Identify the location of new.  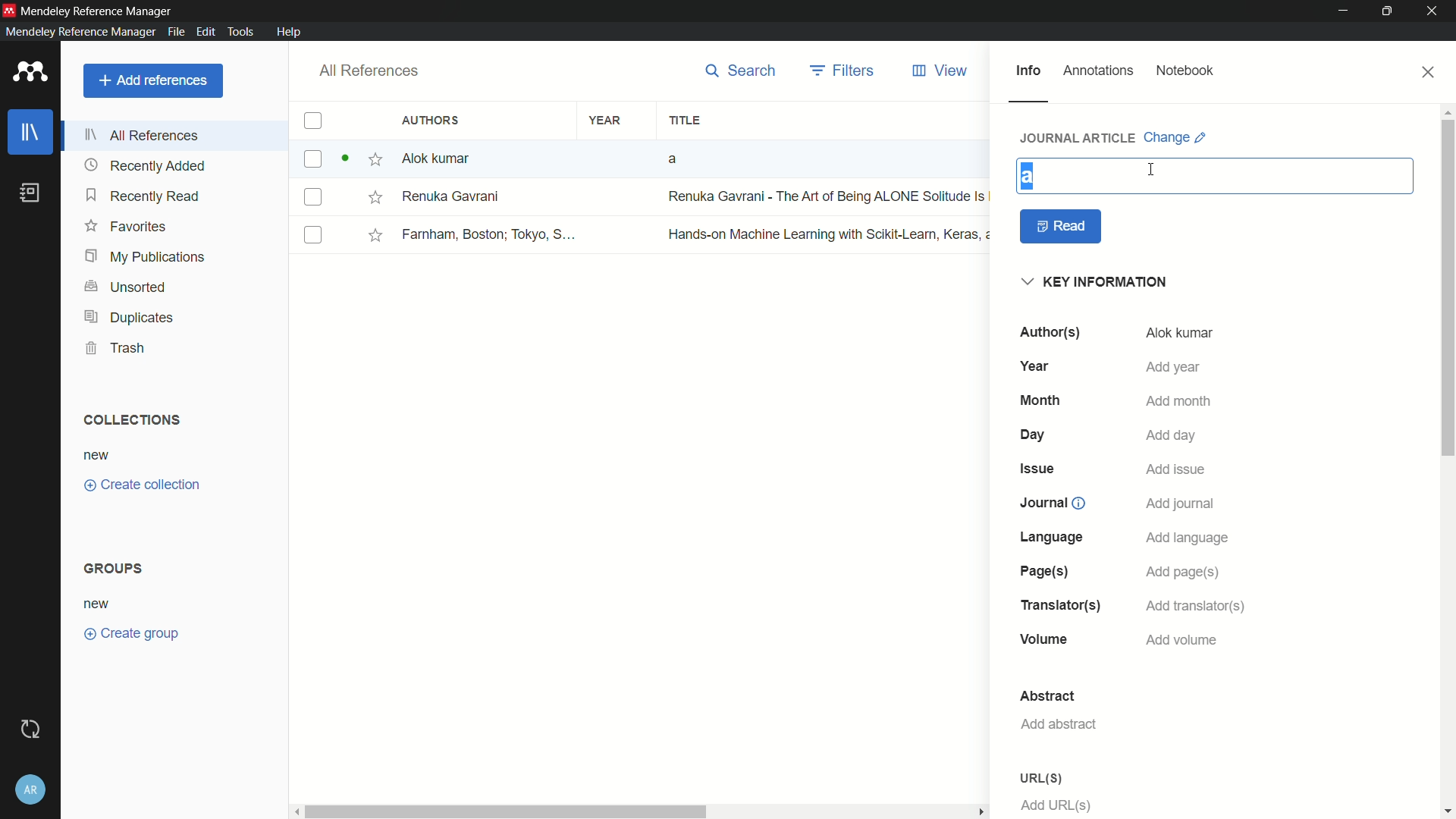
(98, 605).